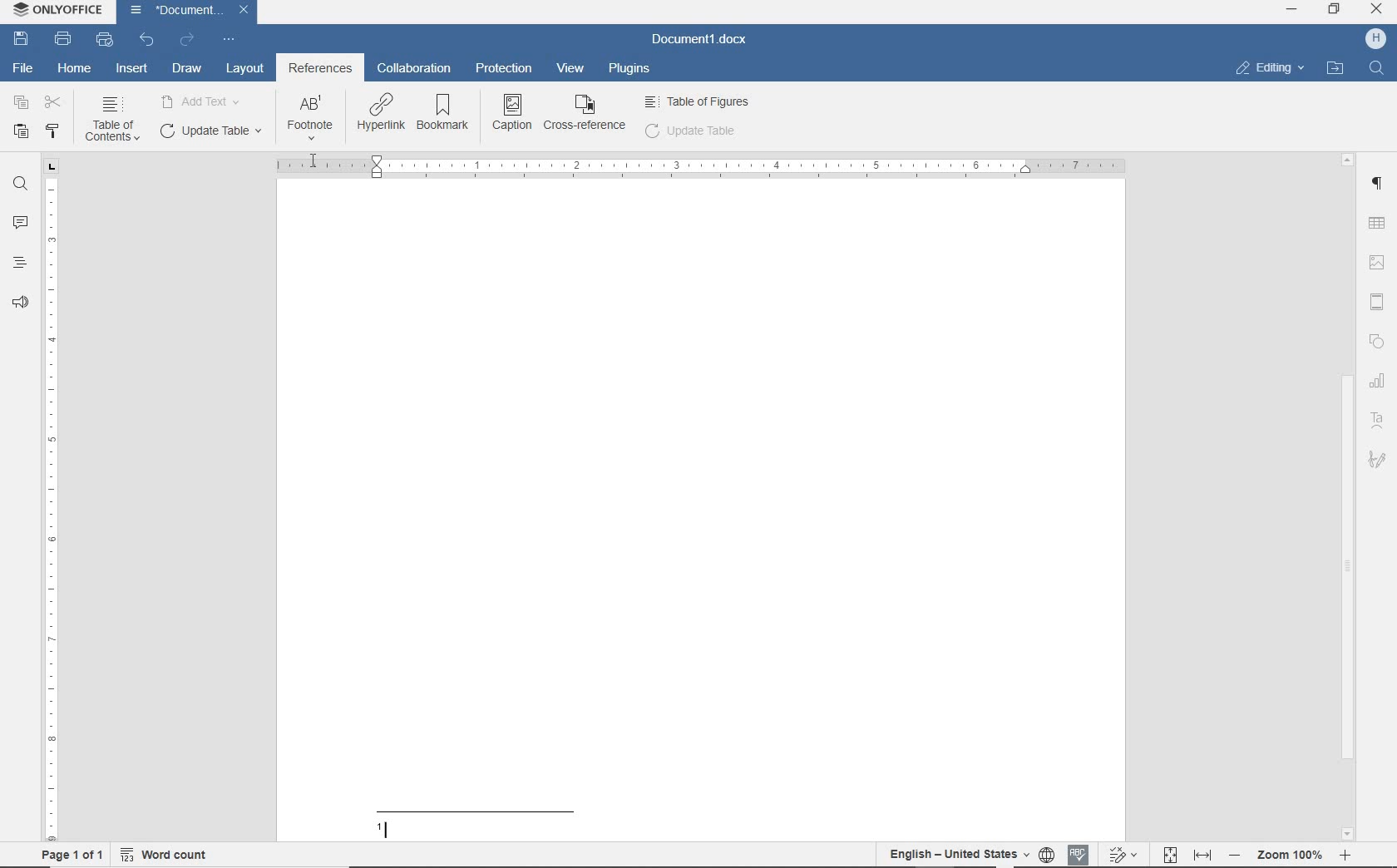  What do you see at coordinates (103, 40) in the screenshot?
I see `quick print` at bounding box center [103, 40].